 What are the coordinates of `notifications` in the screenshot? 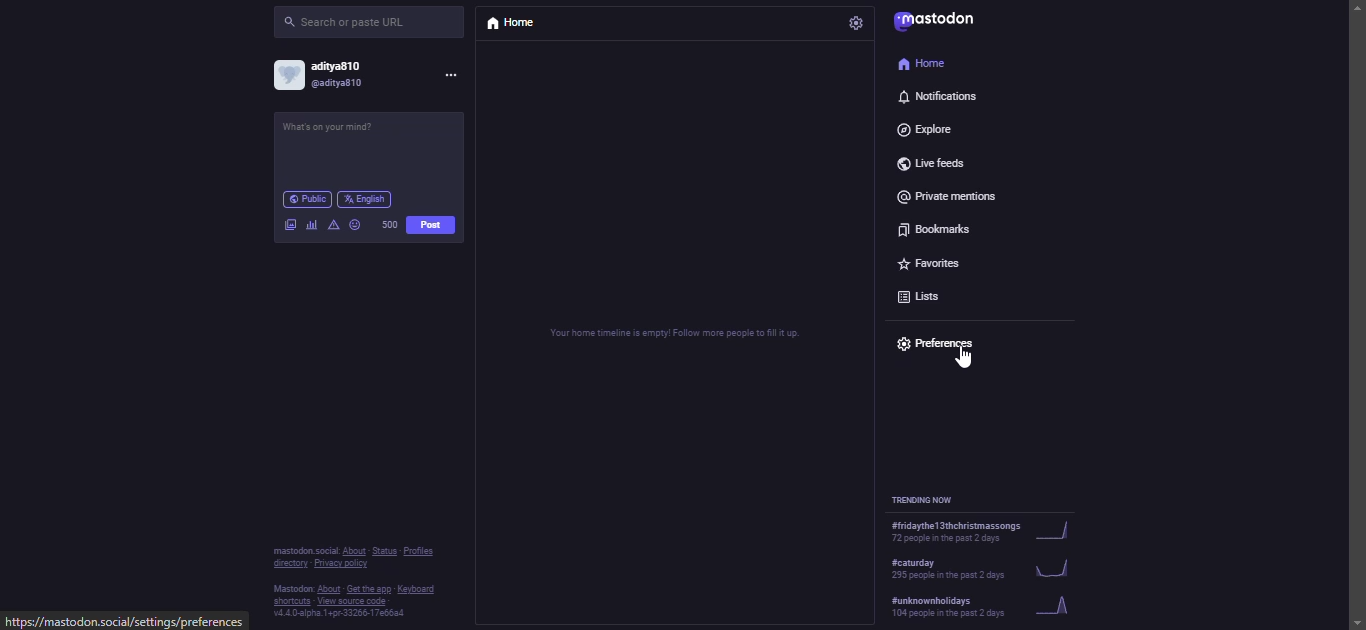 It's located at (939, 97).